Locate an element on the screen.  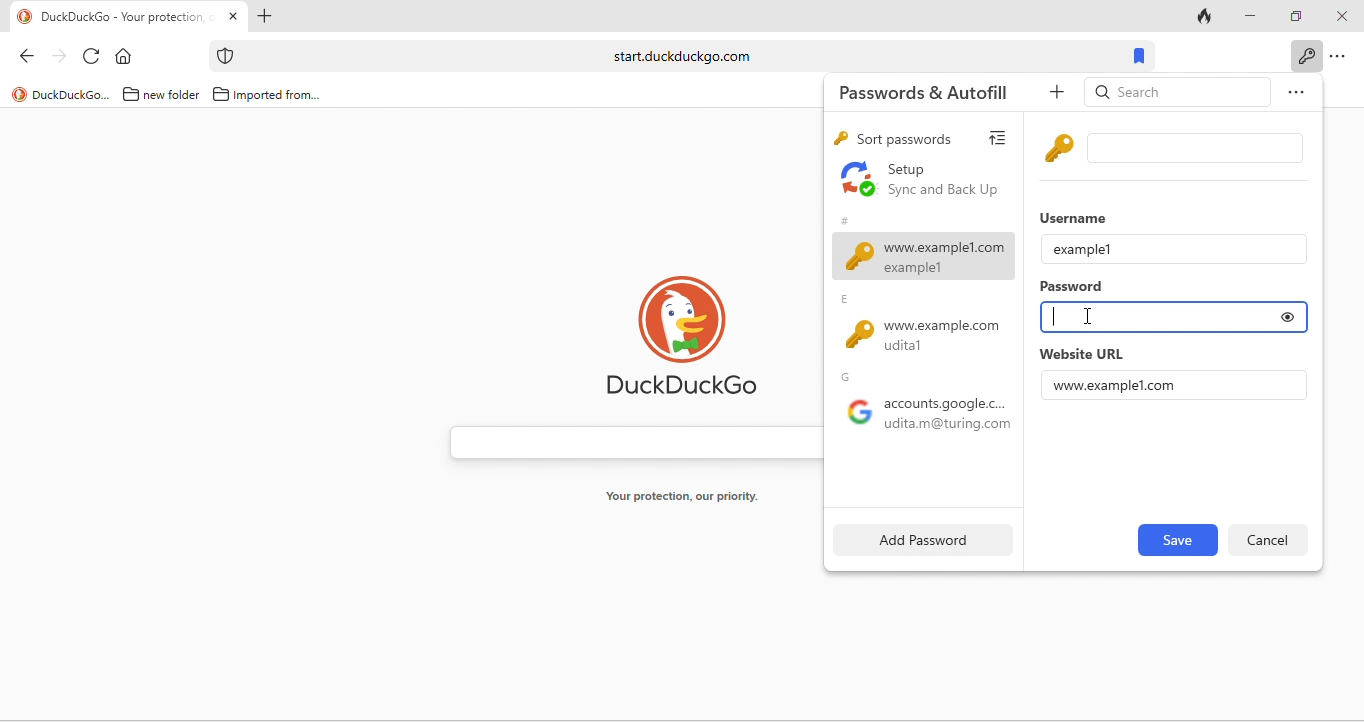
start.duckduckgo.com is located at coordinates (680, 56).